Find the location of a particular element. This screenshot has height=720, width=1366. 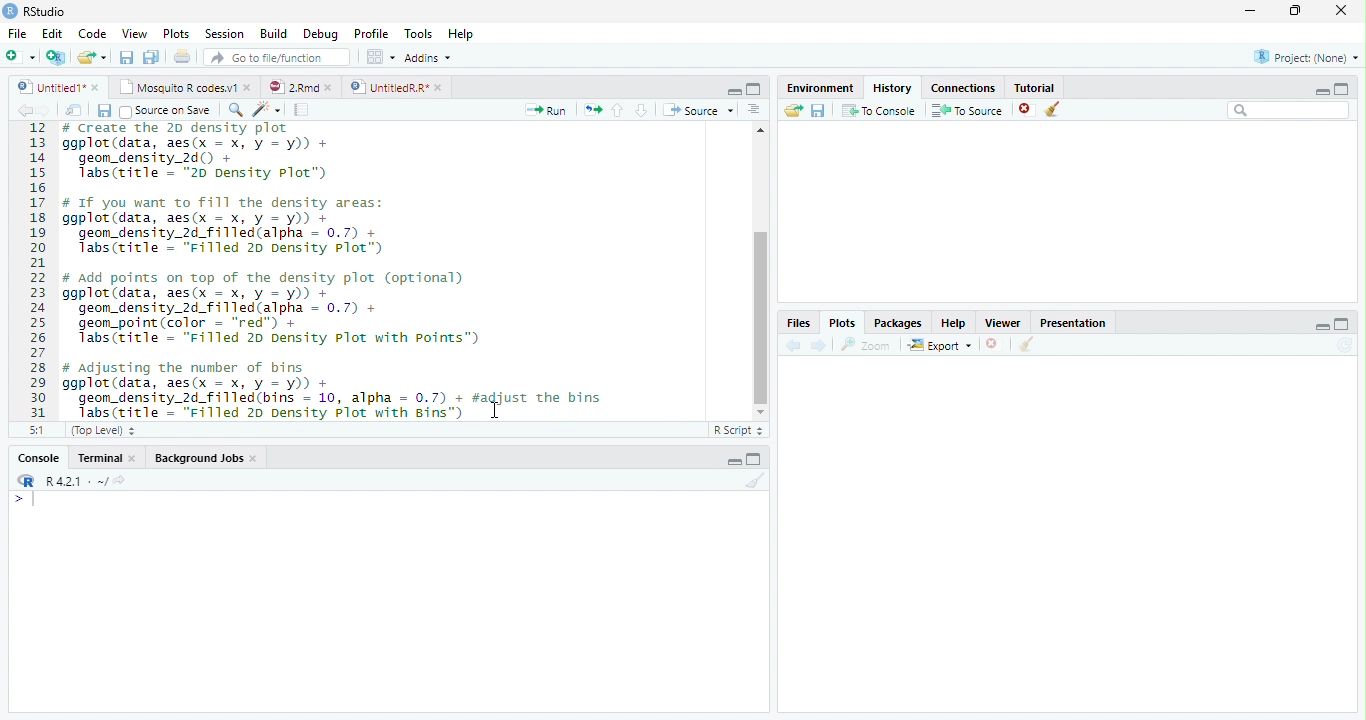

up is located at coordinates (618, 110).